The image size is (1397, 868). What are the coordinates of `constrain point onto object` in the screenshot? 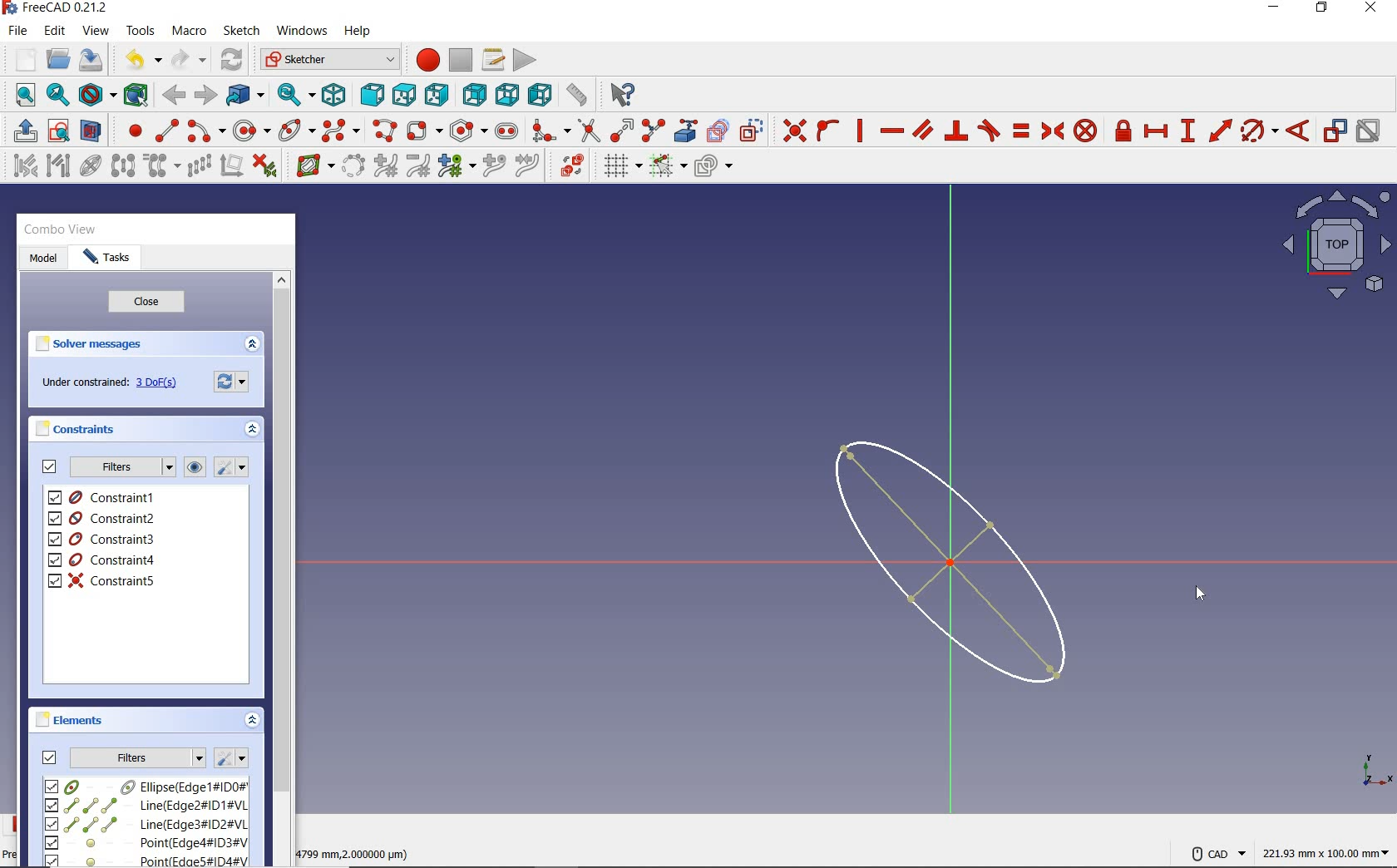 It's located at (828, 131).